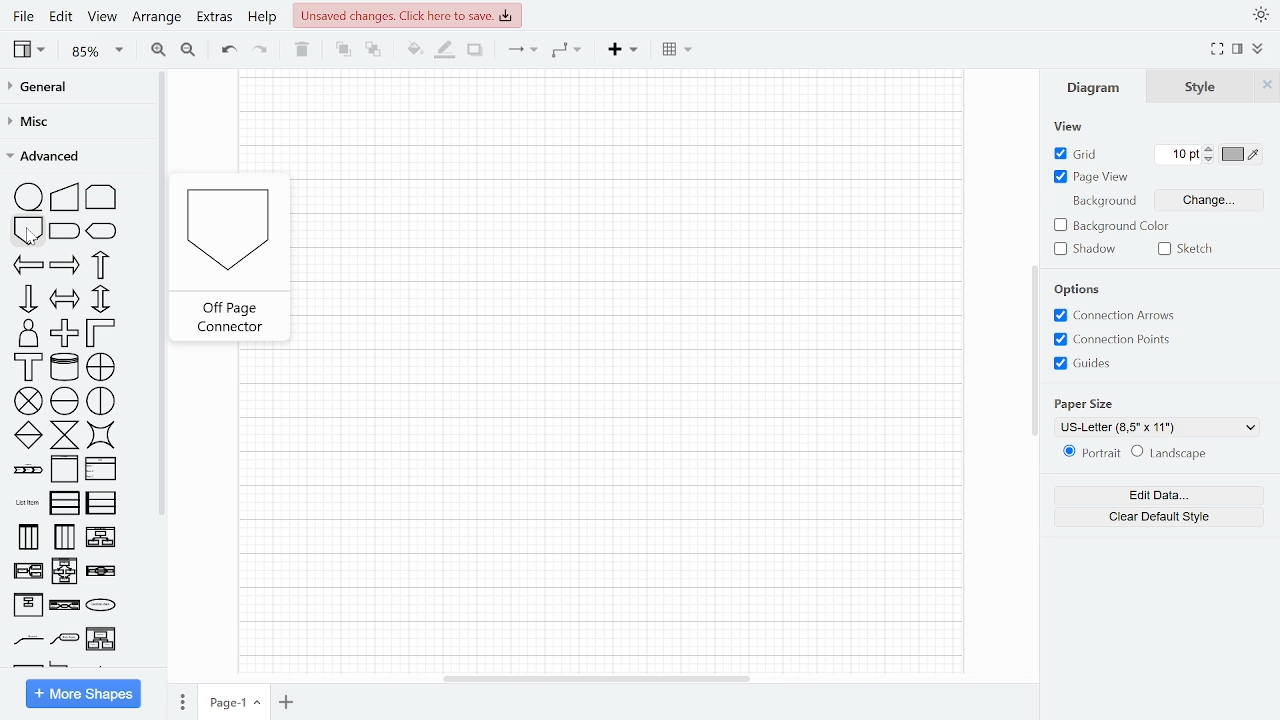 The image size is (1280, 720). Describe the element at coordinates (25, 16) in the screenshot. I see `File` at that location.